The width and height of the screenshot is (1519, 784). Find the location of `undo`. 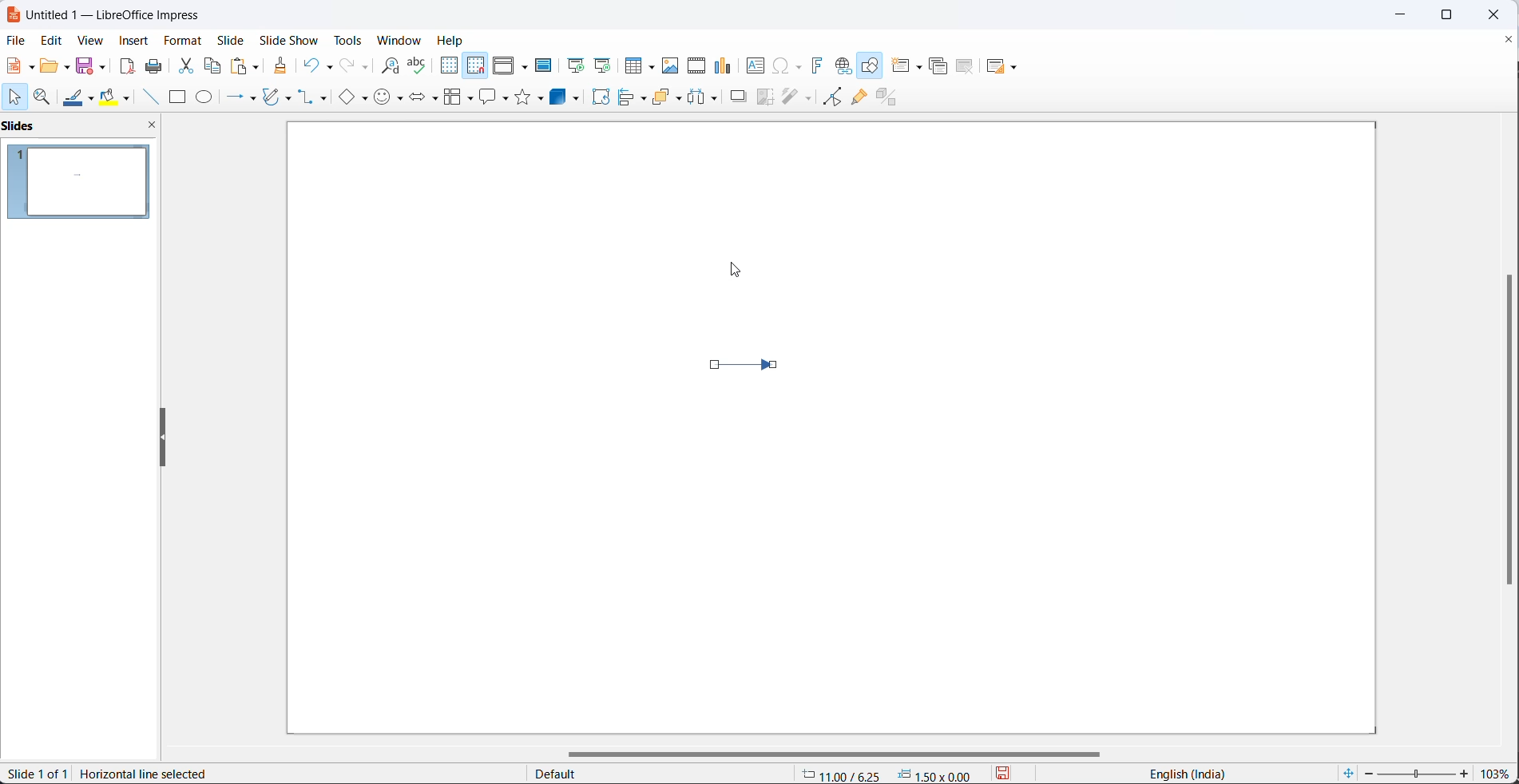

undo is located at coordinates (317, 65).